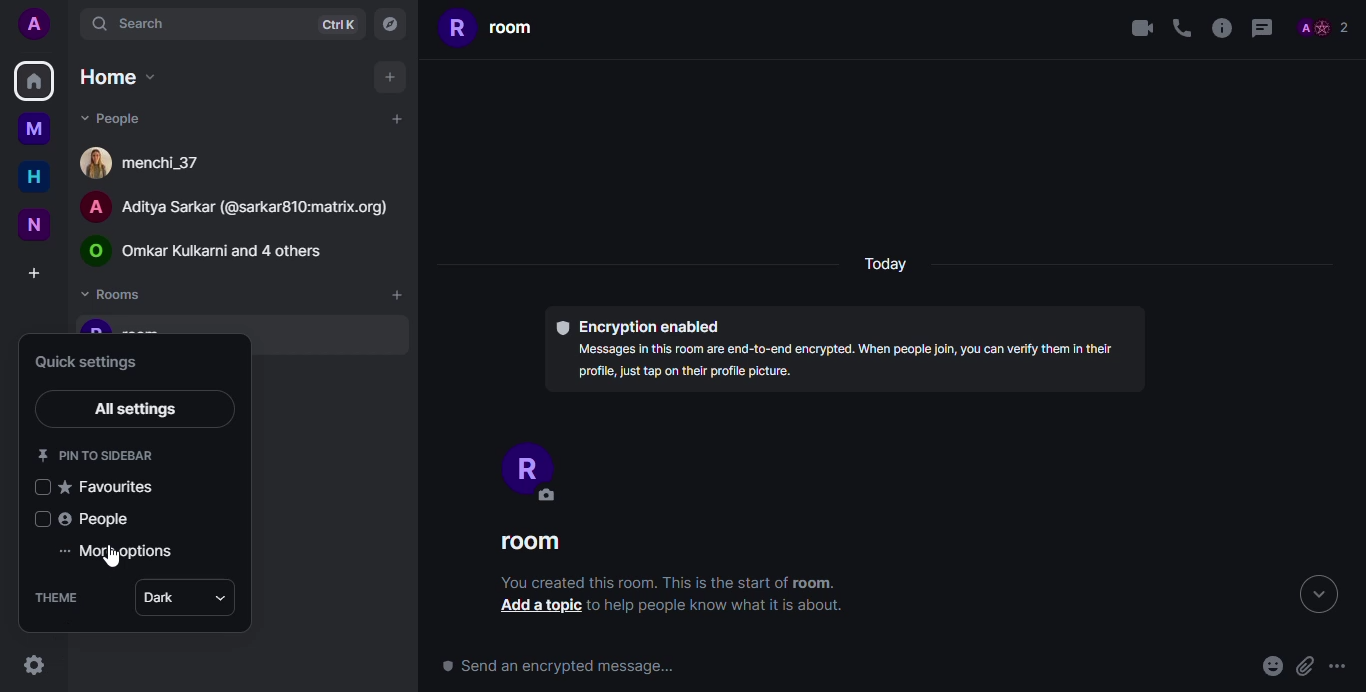 Image resolution: width=1366 pixels, height=692 pixels. What do you see at coordinates (33, 272) in the screenshot?
I see `create a space` at bounding box center [33, 272].